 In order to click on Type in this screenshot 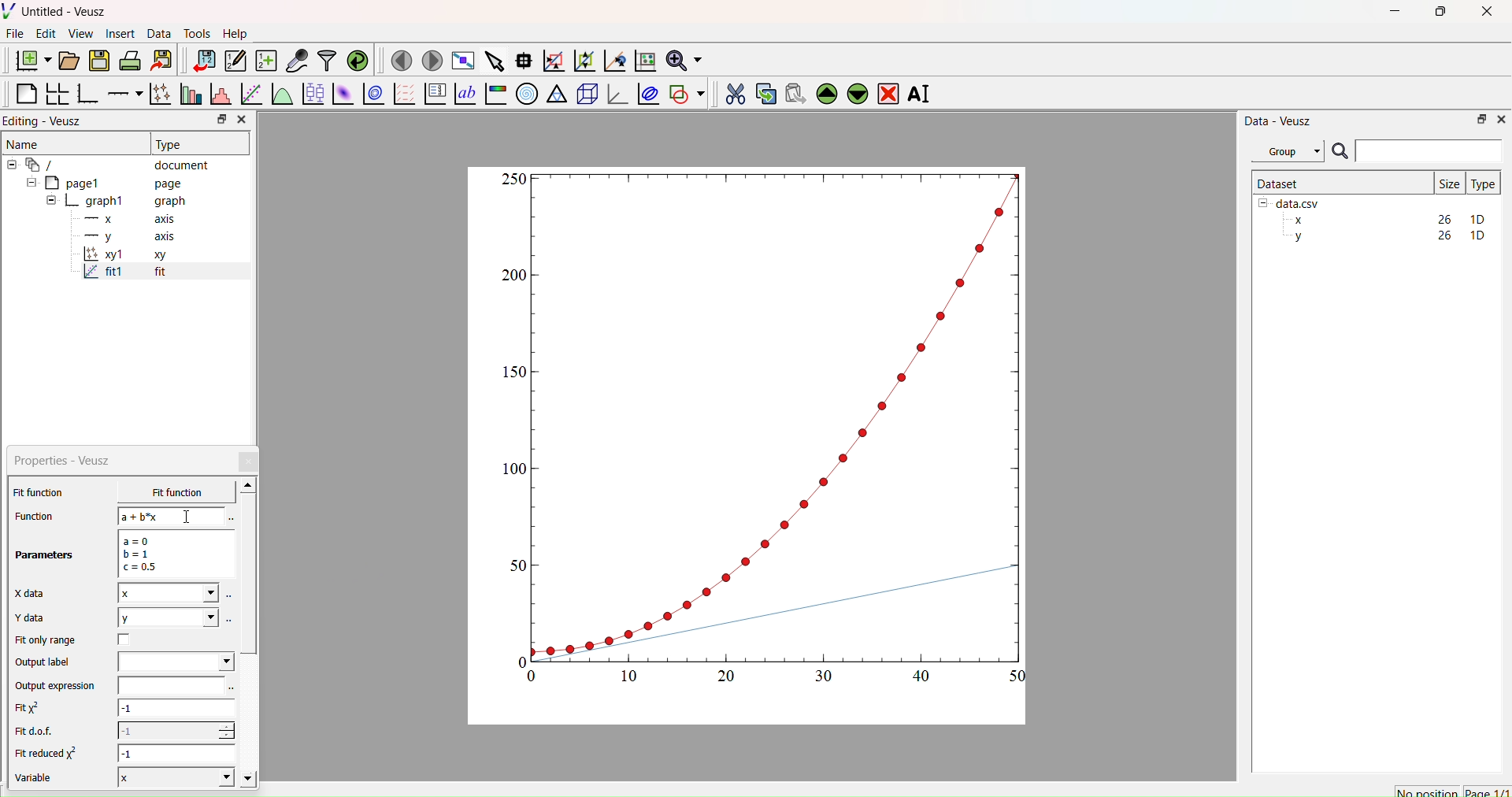, I will do `click(1483, 183)`.